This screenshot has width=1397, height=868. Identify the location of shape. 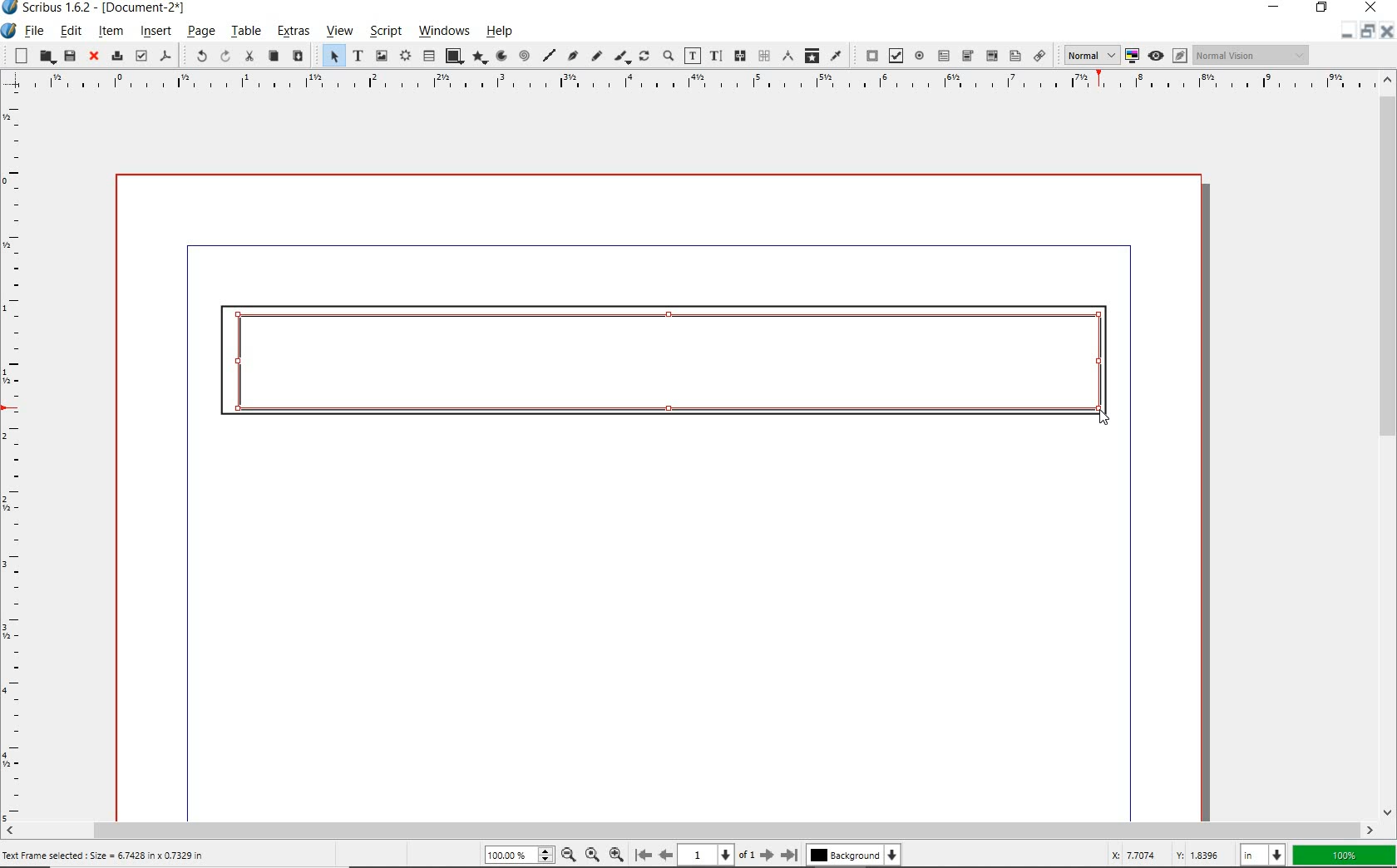
(454, 57).